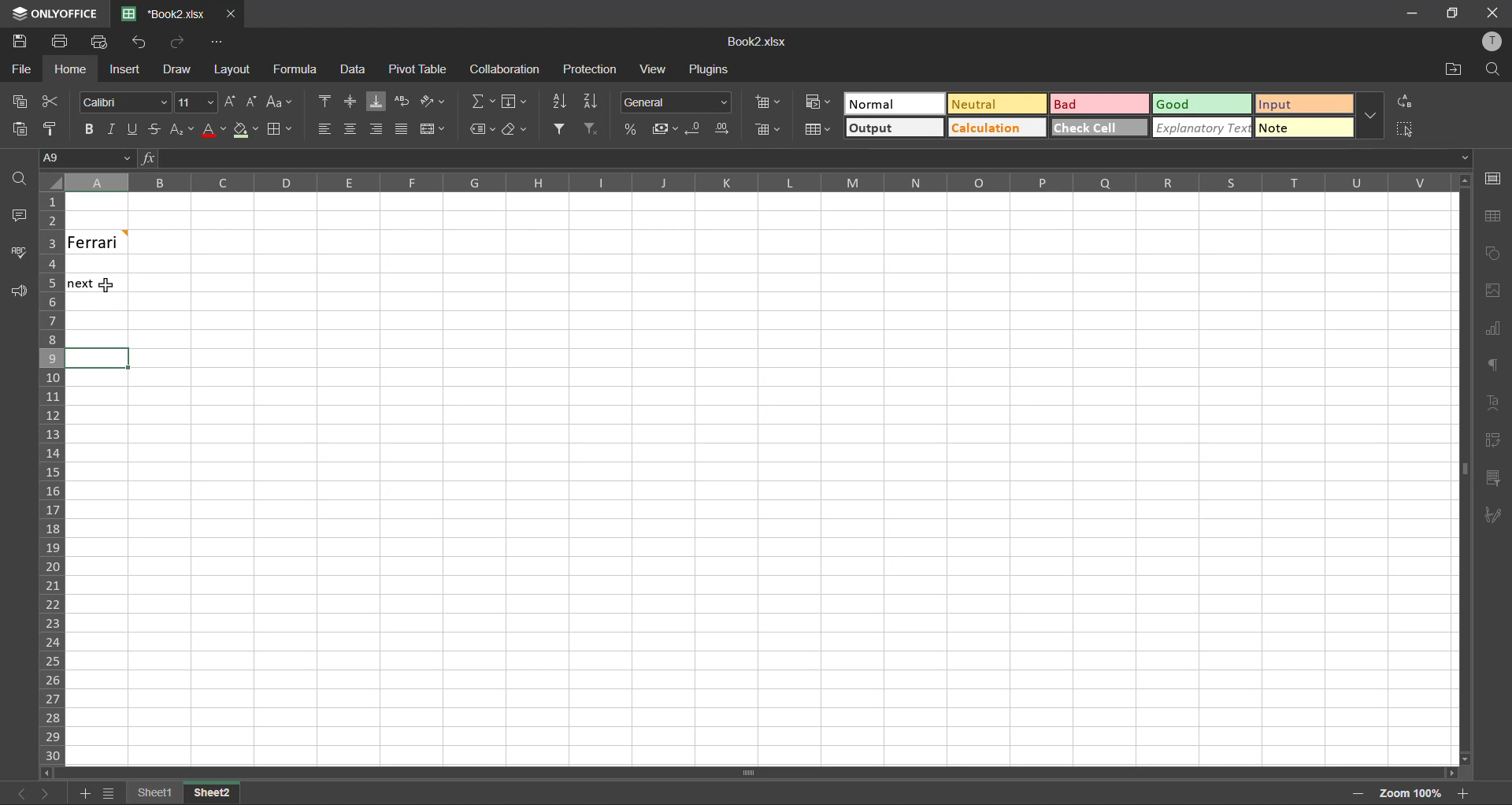 The width and height of the screenshot is (1512, 805). Describe the element at coordinates (1492, 478) in the screenshot. I see `slicer` at that location.